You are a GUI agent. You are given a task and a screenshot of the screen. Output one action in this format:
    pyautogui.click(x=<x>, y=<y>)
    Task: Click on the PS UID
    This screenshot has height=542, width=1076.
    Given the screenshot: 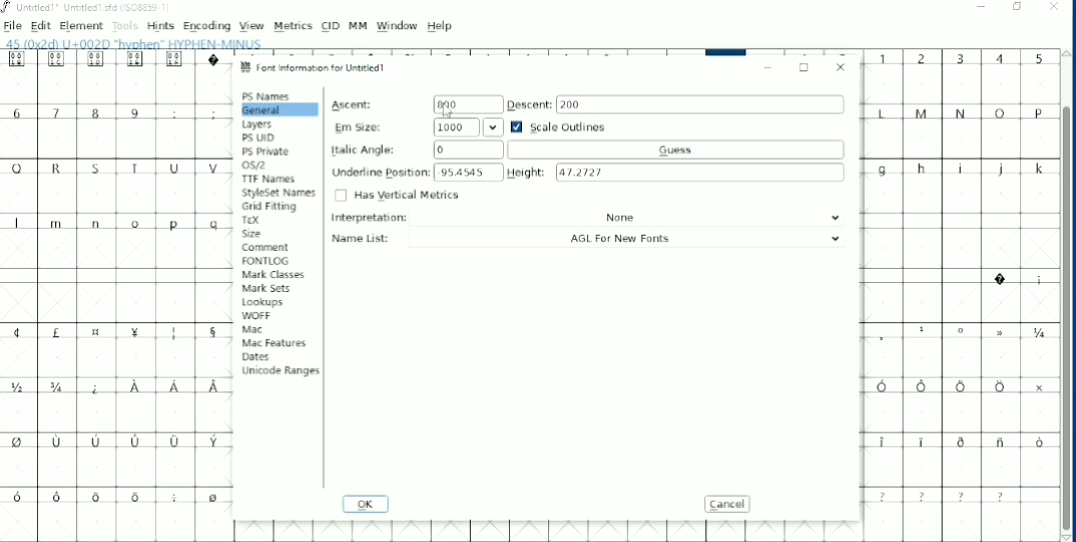 What is the action you would take?
    pyautogui.click(x=259, y=138)
    